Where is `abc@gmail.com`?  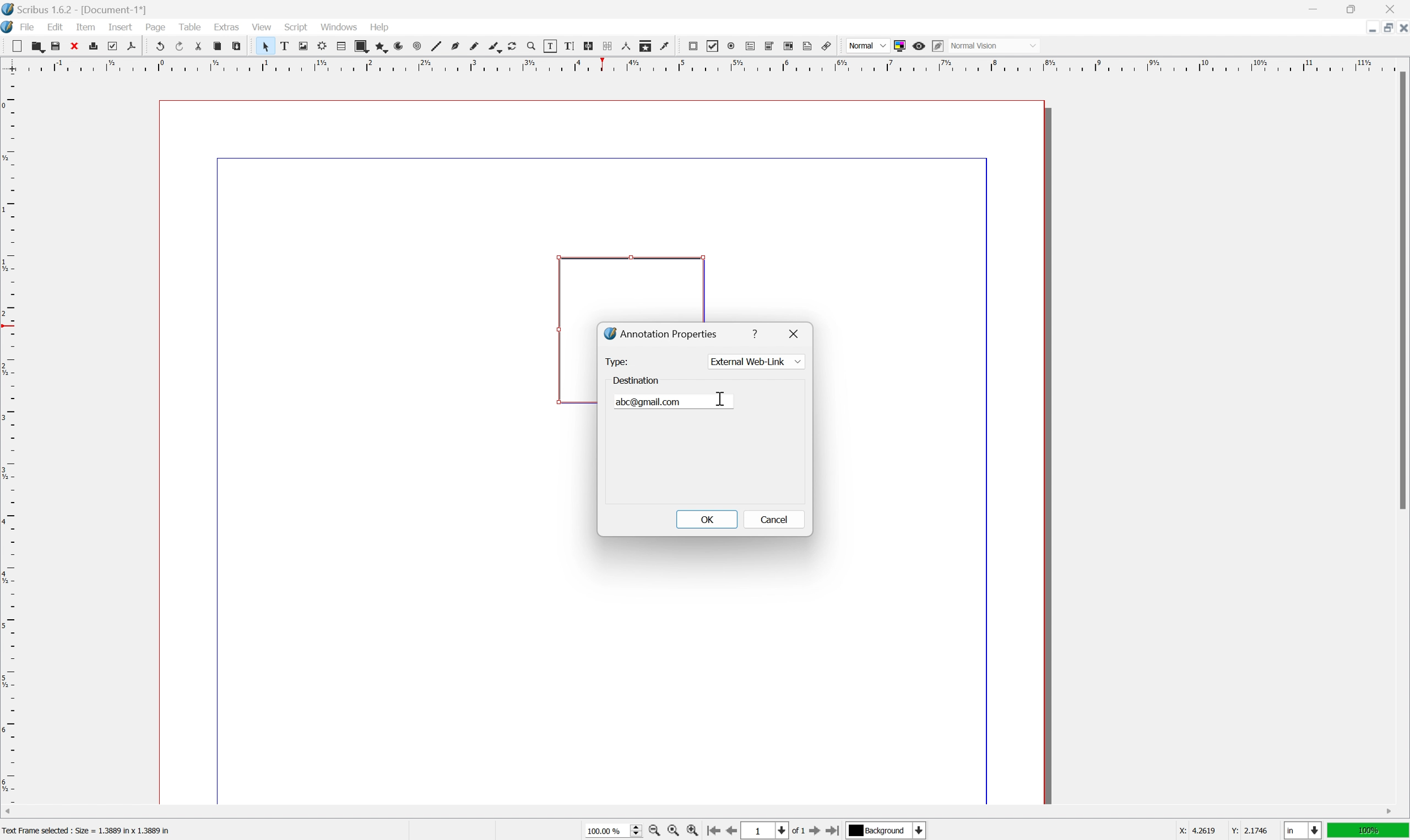 abc@gmail.com is located at coordinates (651, 402).